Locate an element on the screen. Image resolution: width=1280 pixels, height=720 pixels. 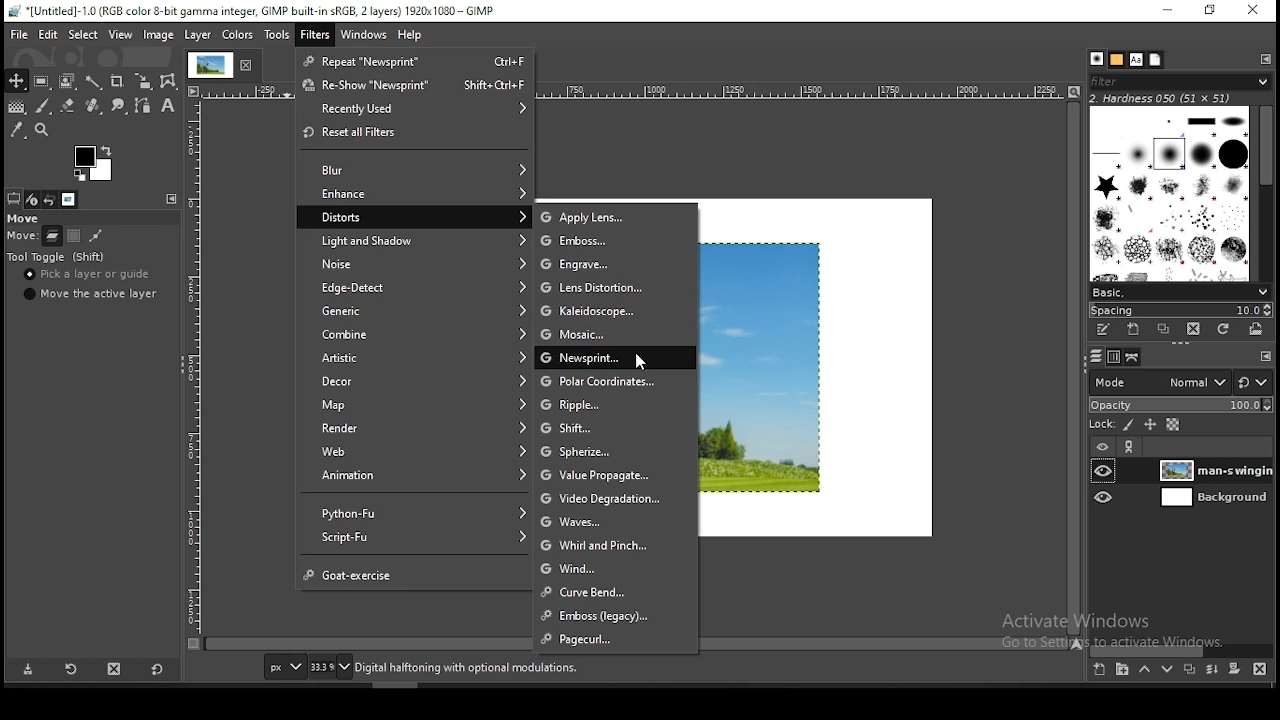
reset is located at coordinates (158, 668).